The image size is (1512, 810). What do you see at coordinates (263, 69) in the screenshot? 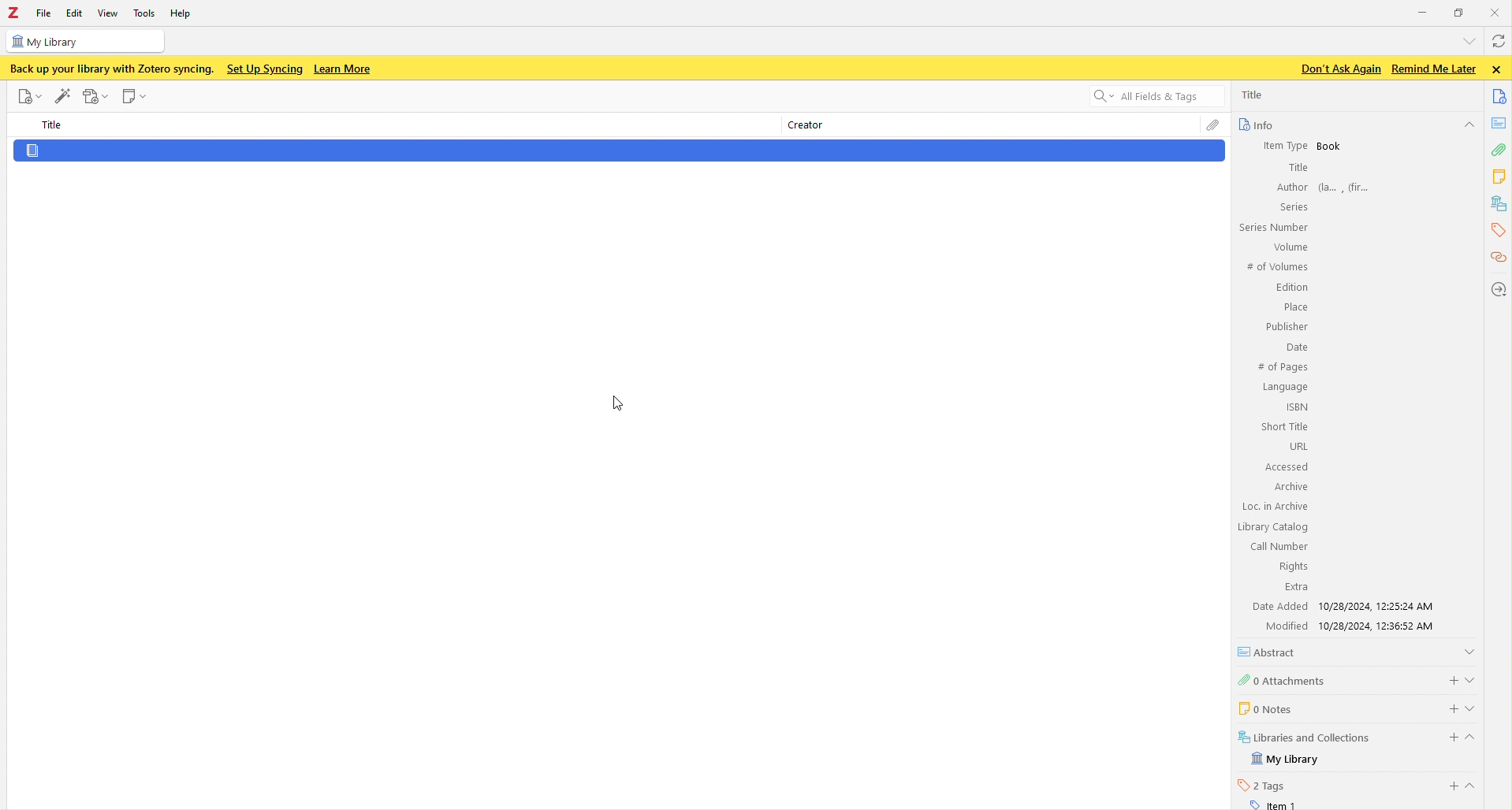
I see `Set Up Syncing` at bounding box center [263, 69].